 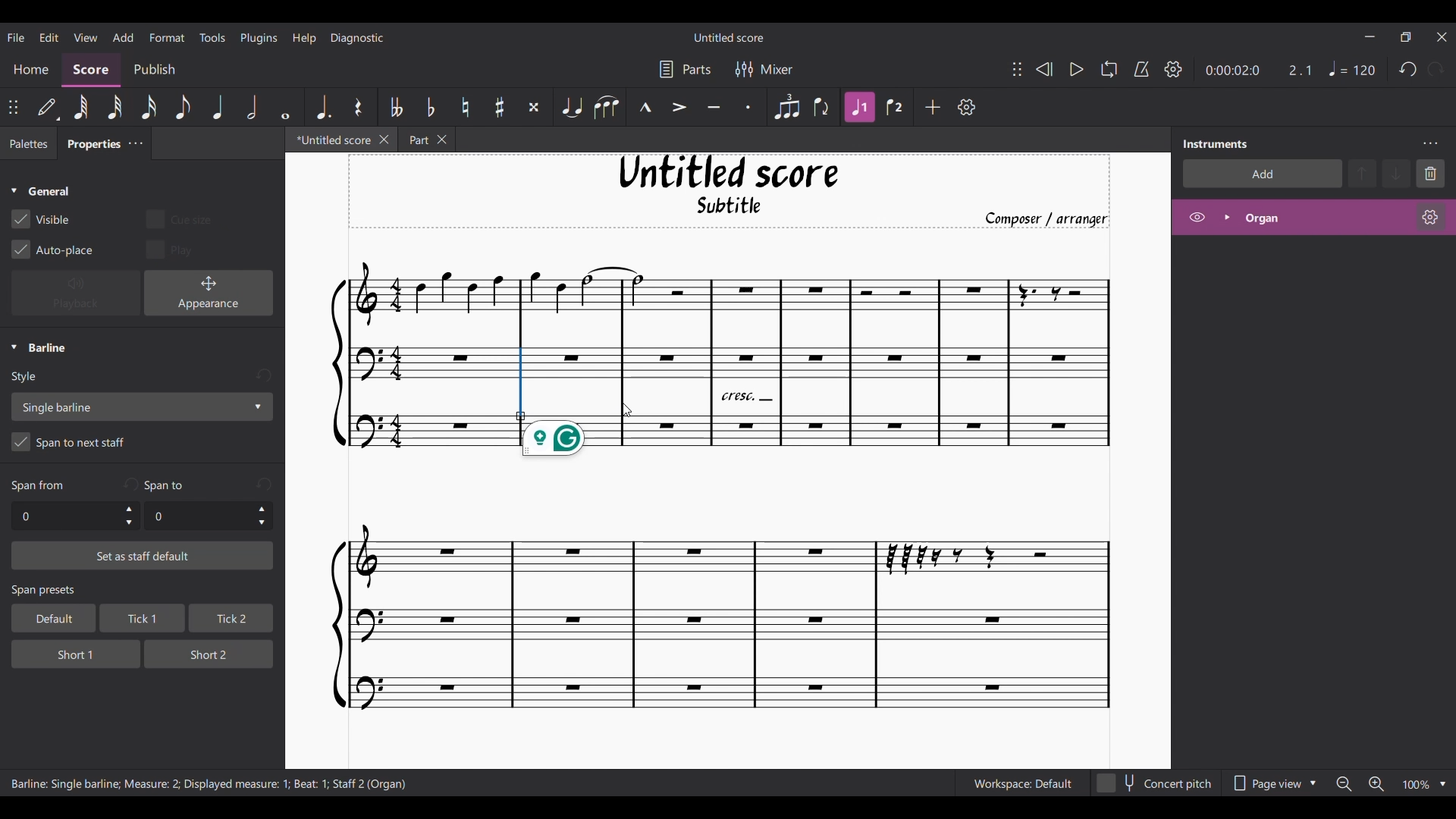 What do you see at coordinates (1415, 786) in the screenshot?
I see `Current zoom factor` at bounding box center [1415, 786].